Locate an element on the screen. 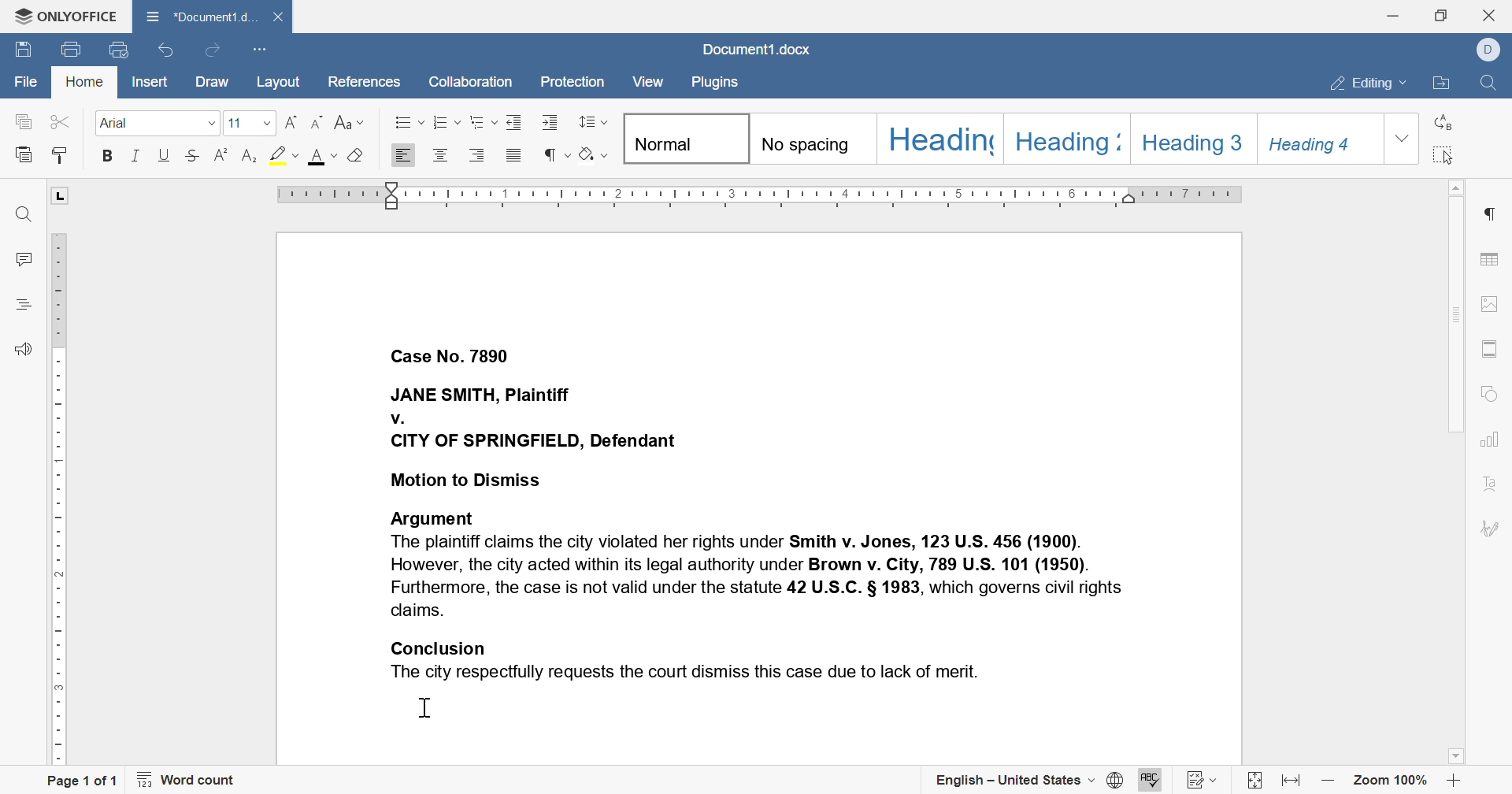 The height and width of the screenshot is (794, 1512). insert is located at coordinates (153, 81).